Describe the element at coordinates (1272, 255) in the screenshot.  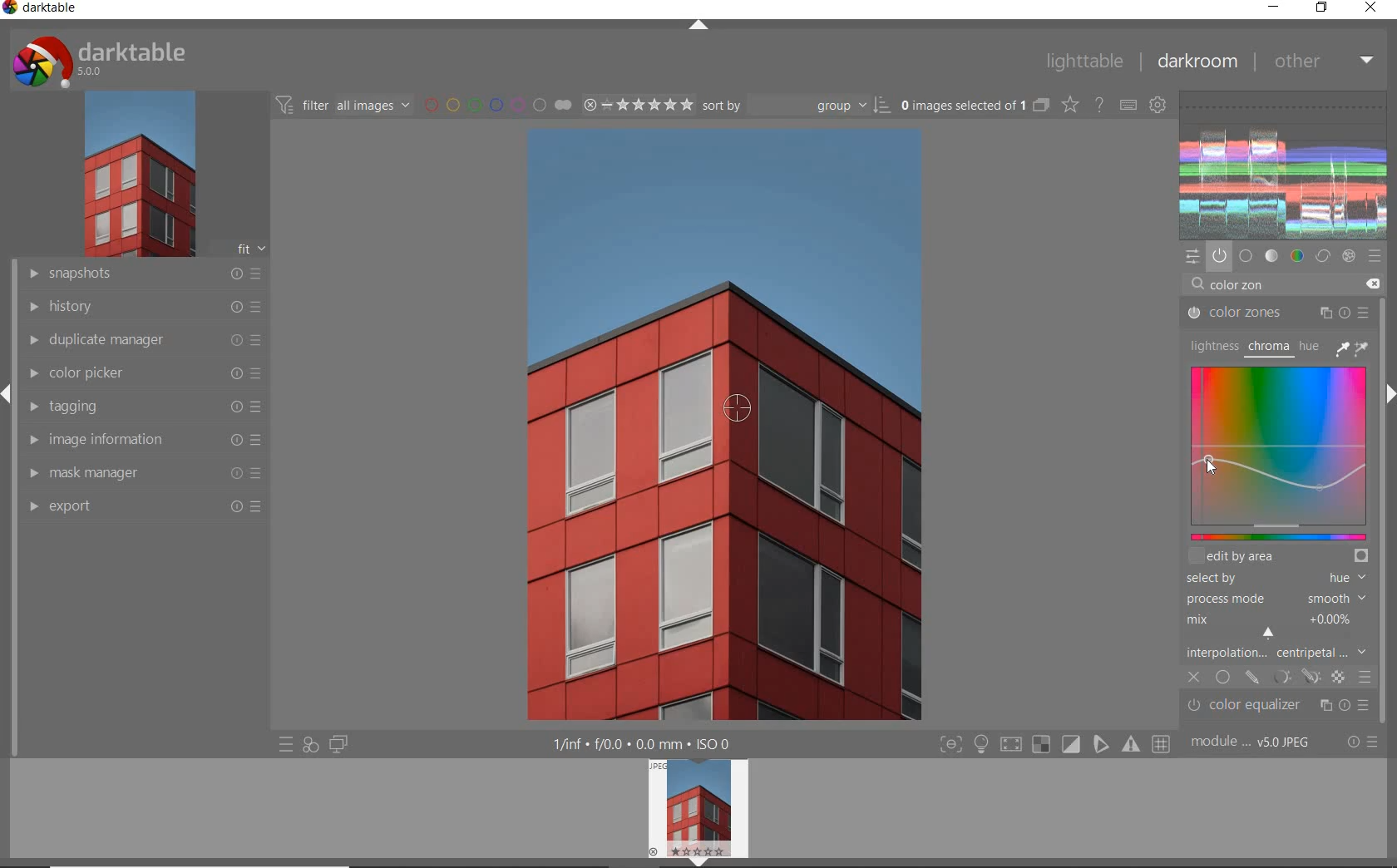
I see `tone` at that location.